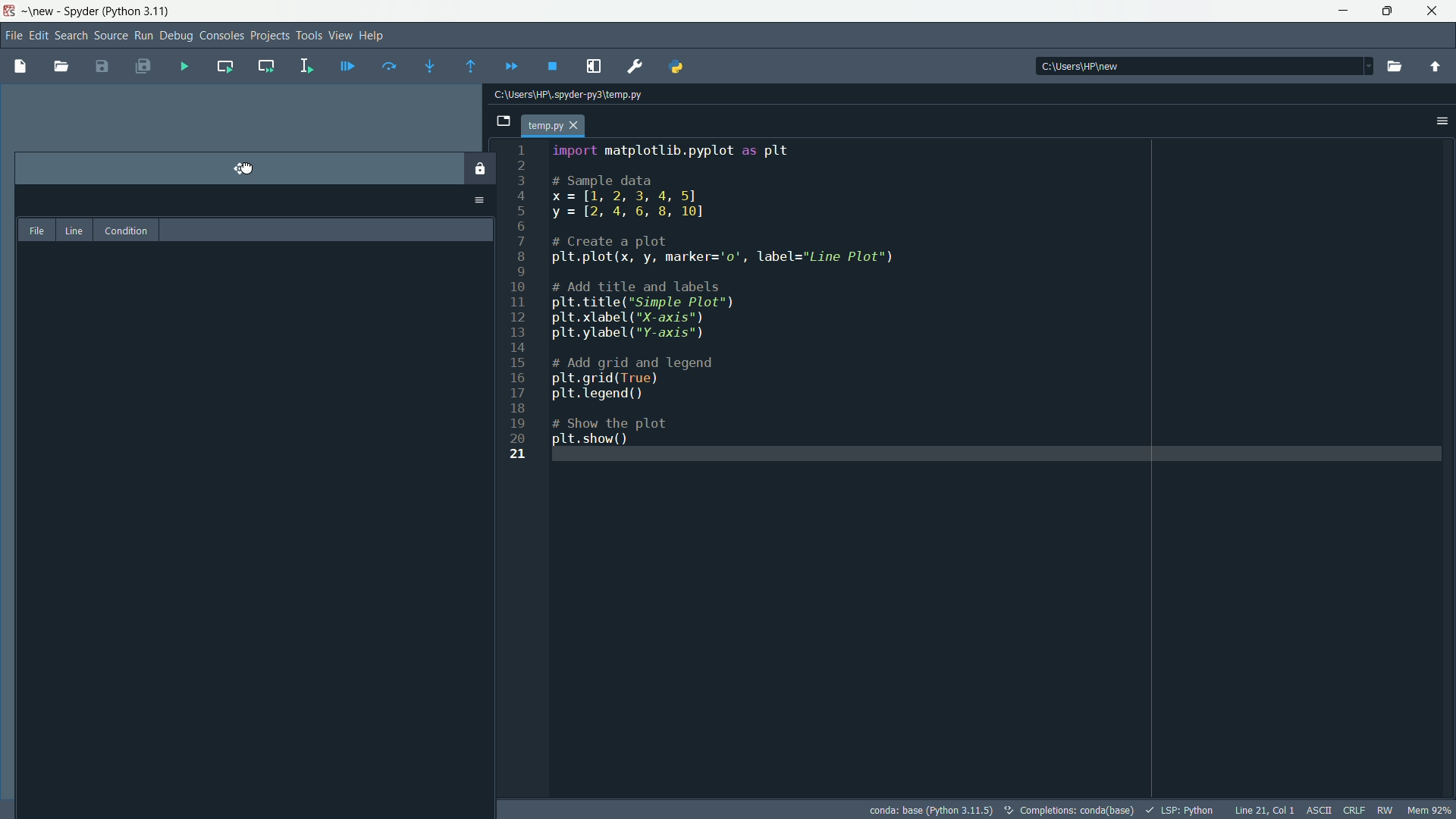 This screenshot has width=1456, height=819. I want to click on continue execution untill next breakdown, so click(510, 62).